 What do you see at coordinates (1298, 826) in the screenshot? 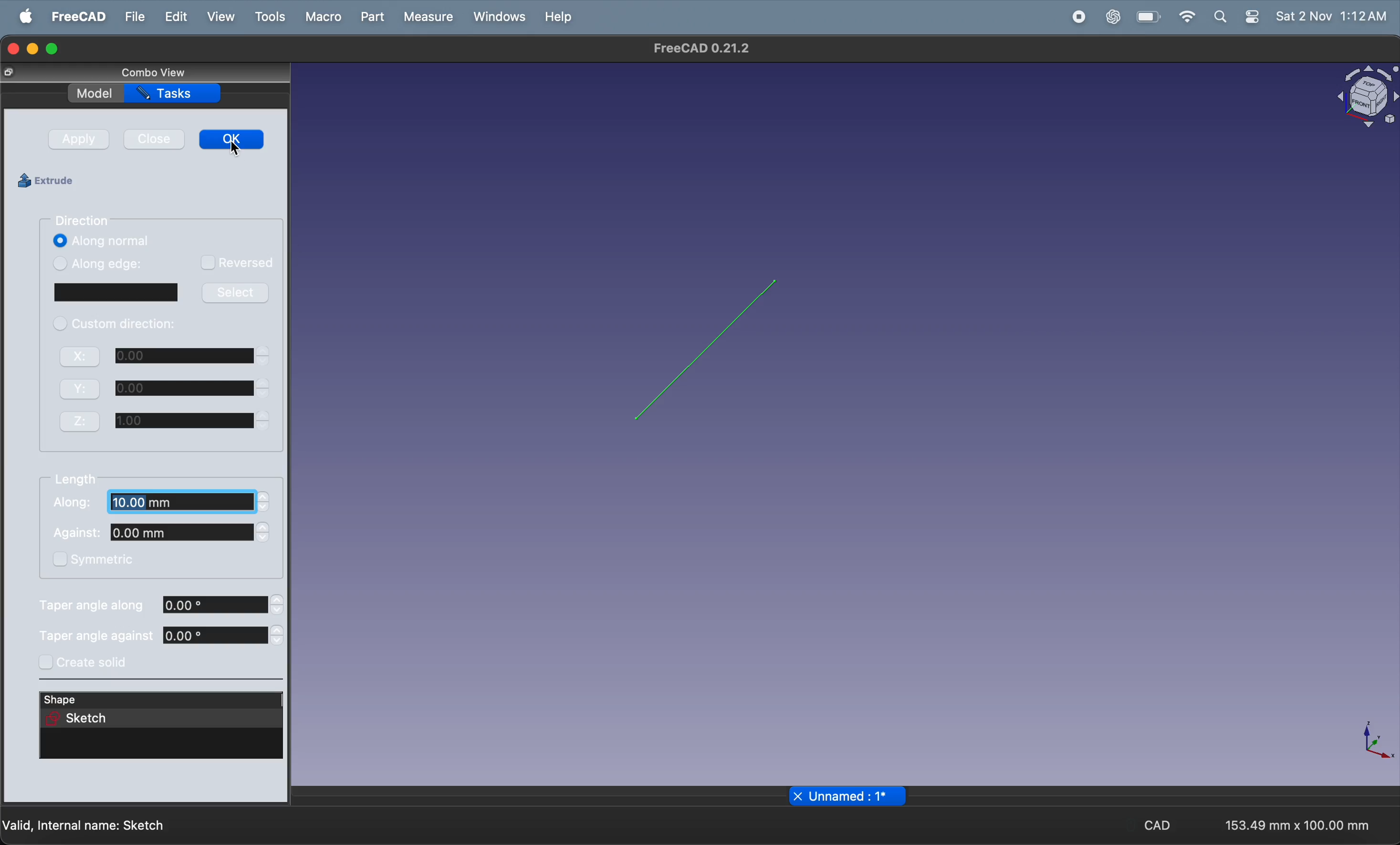
I see `153.49 mm x 100.00 mm` at bounding box center [1298, 826].